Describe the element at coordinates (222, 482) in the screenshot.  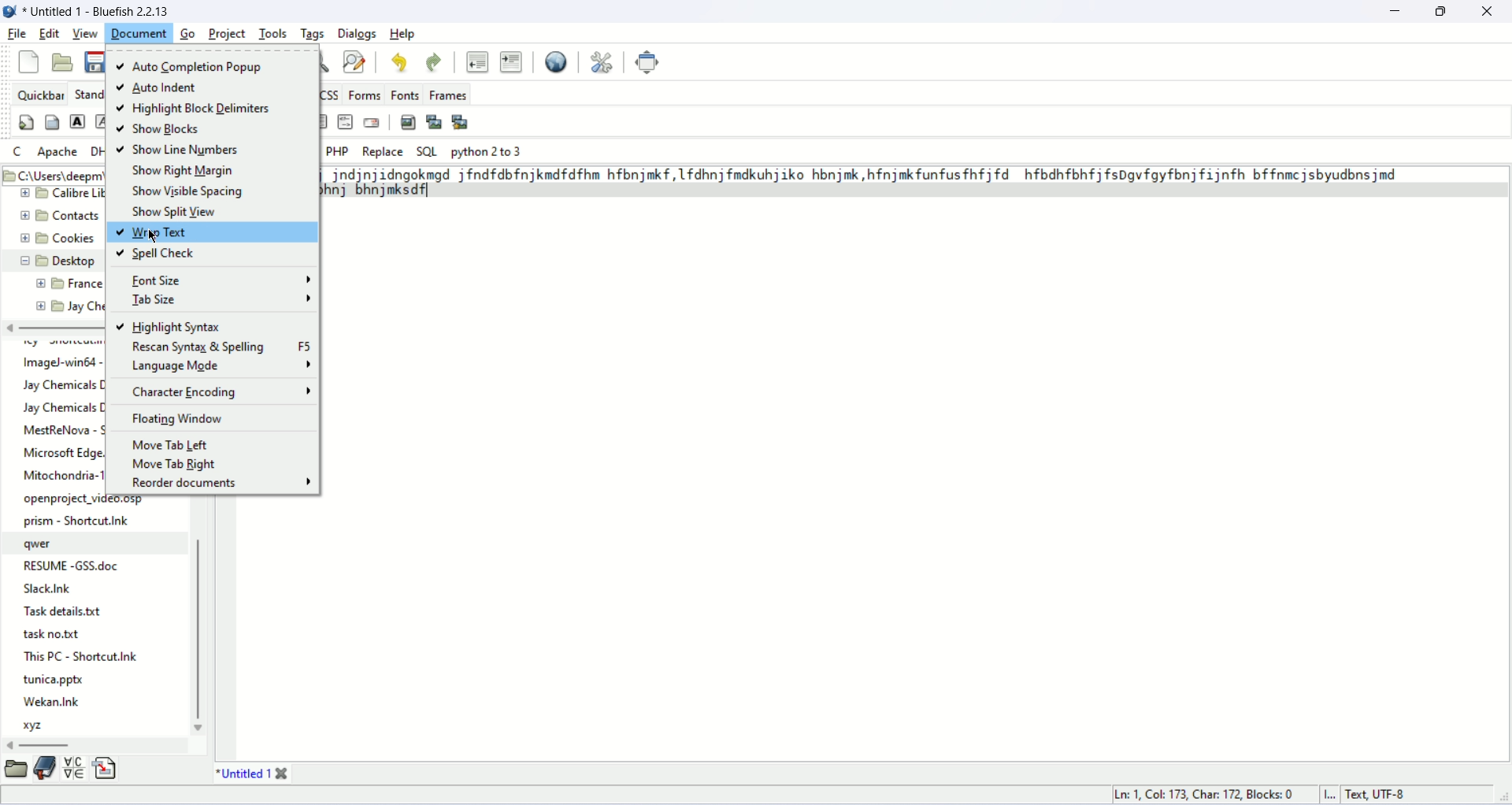
I see `reorder documents` at that location.